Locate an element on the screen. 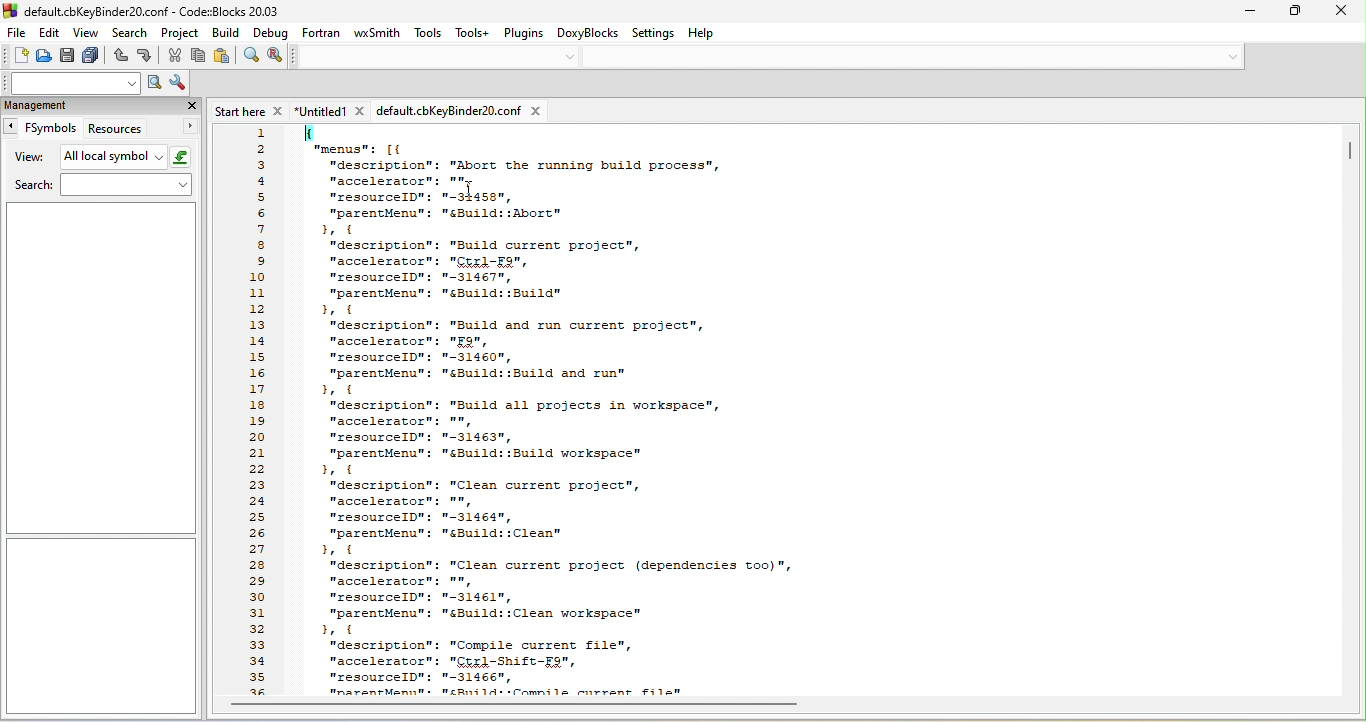 The image size is (1366, 722). debug is located at coordinates (272, 32).